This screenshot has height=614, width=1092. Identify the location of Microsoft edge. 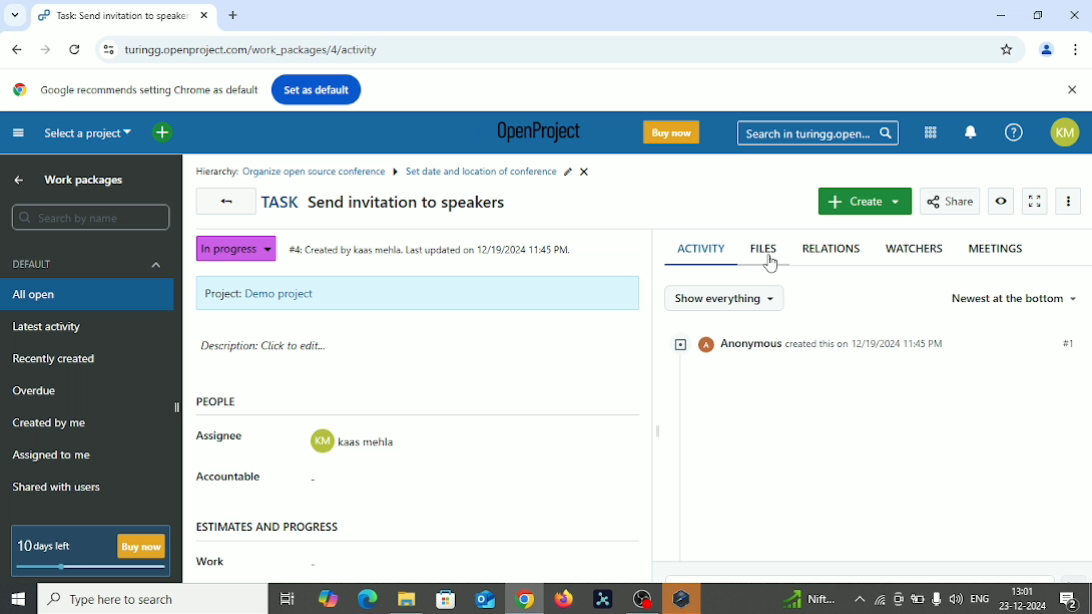
(366, 600).